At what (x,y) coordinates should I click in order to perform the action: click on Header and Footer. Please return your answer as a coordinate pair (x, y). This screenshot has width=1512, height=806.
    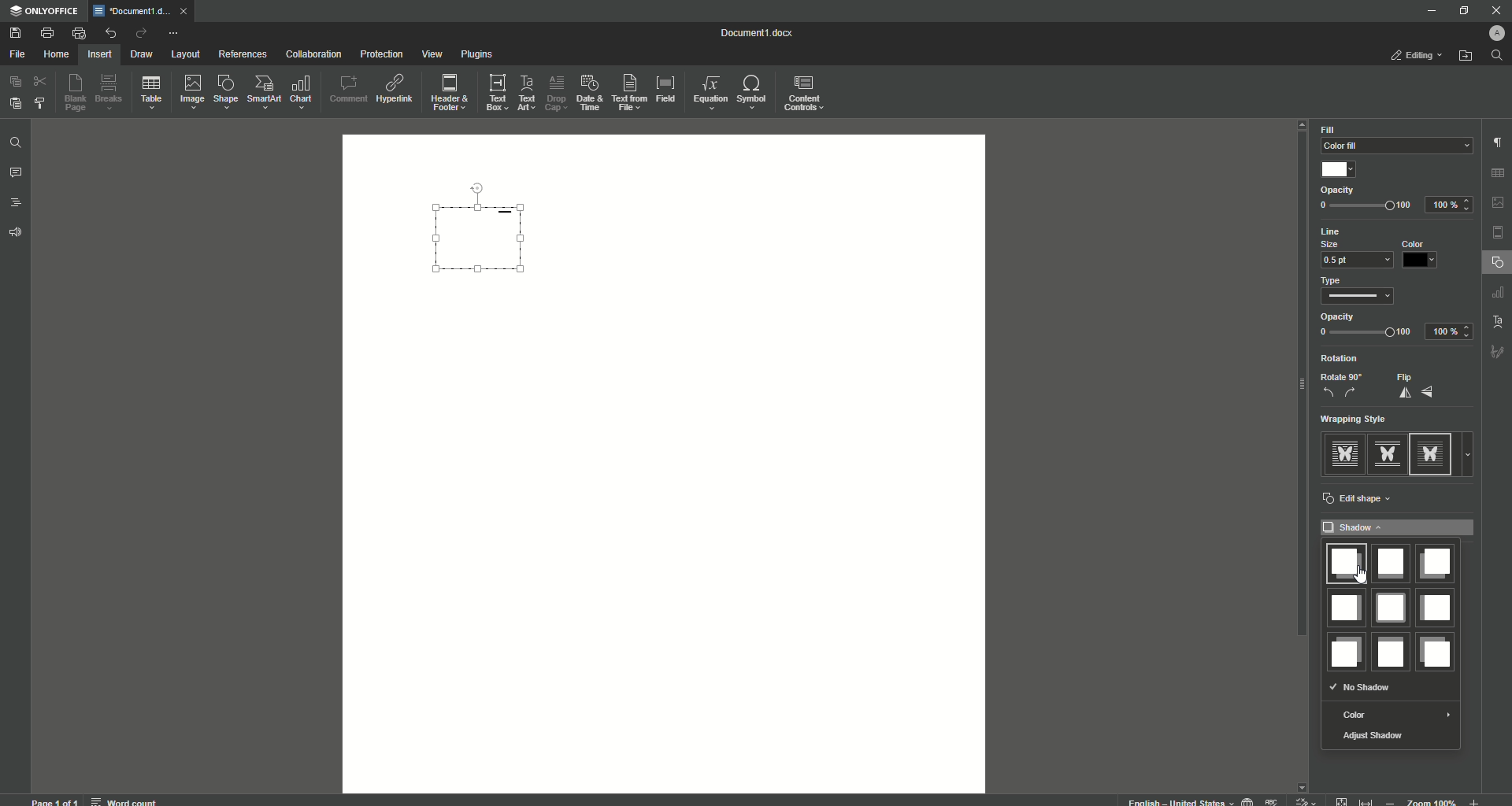
    Looking at the image, I should click on (448, 94).